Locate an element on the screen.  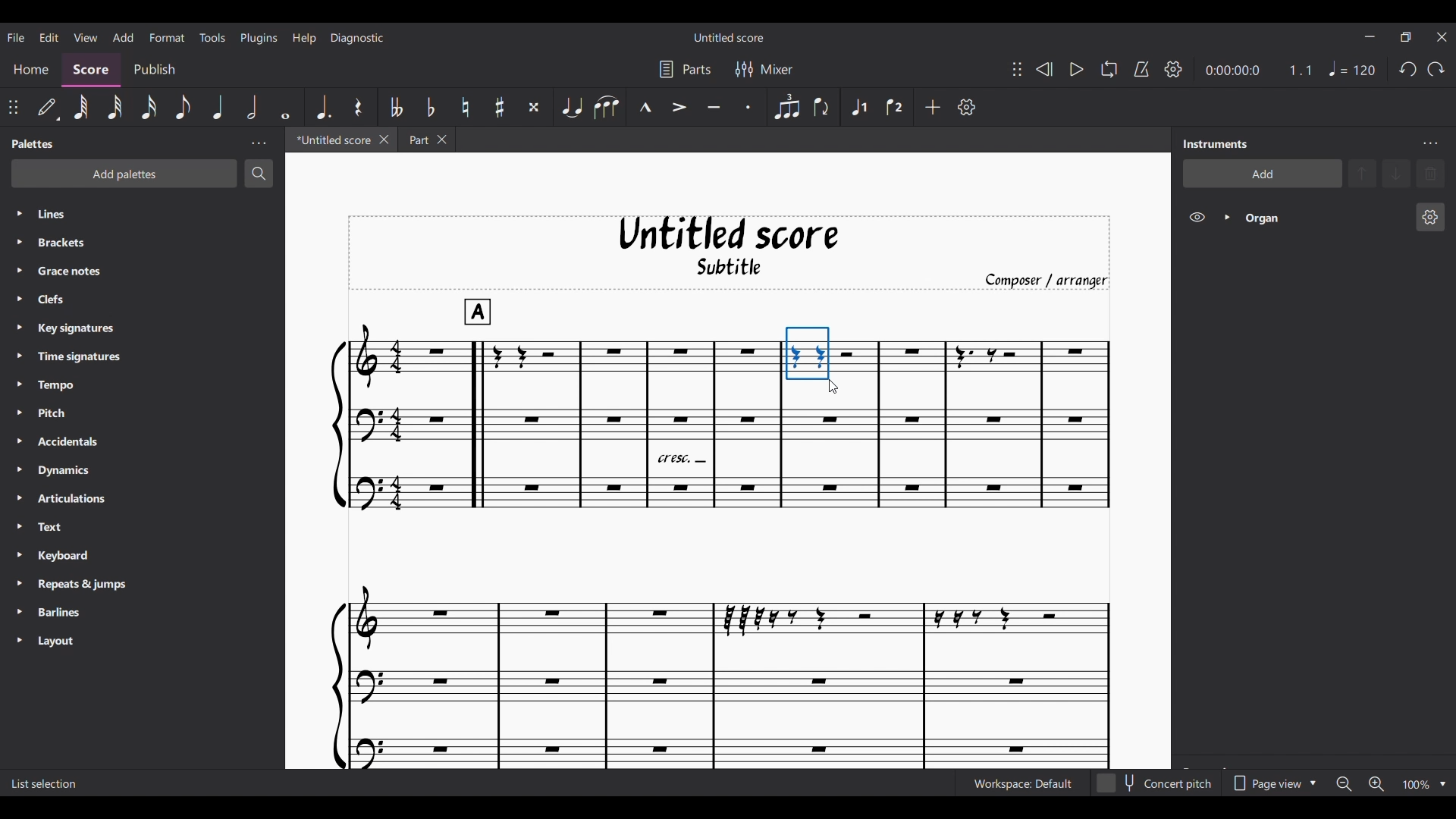
Accent is located at coordinates (679, 108).